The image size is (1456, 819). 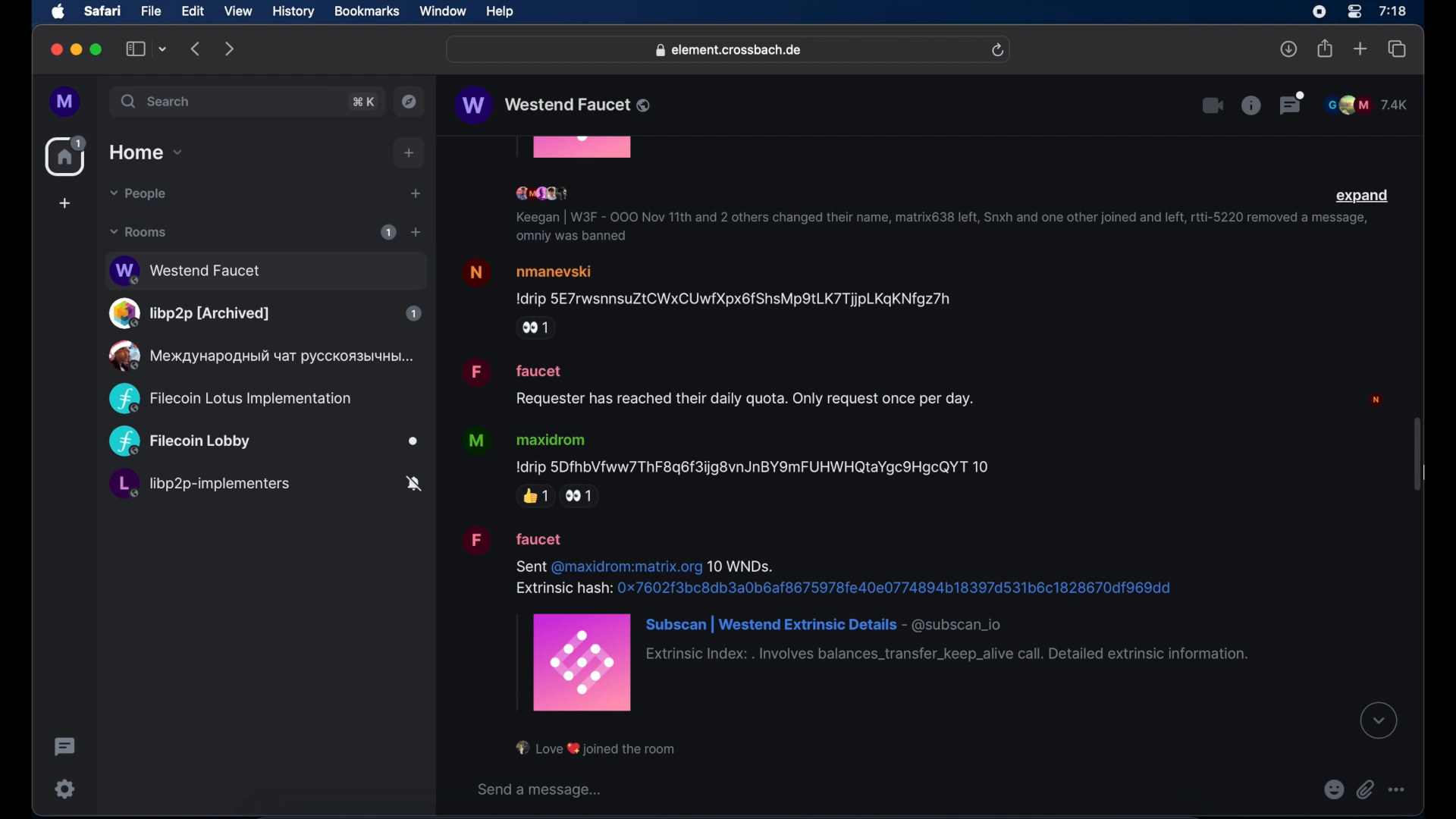 What do you see at coordinates (1250, 105) in the screenshot?
I see `room info` at bounding box center [1250, 105].